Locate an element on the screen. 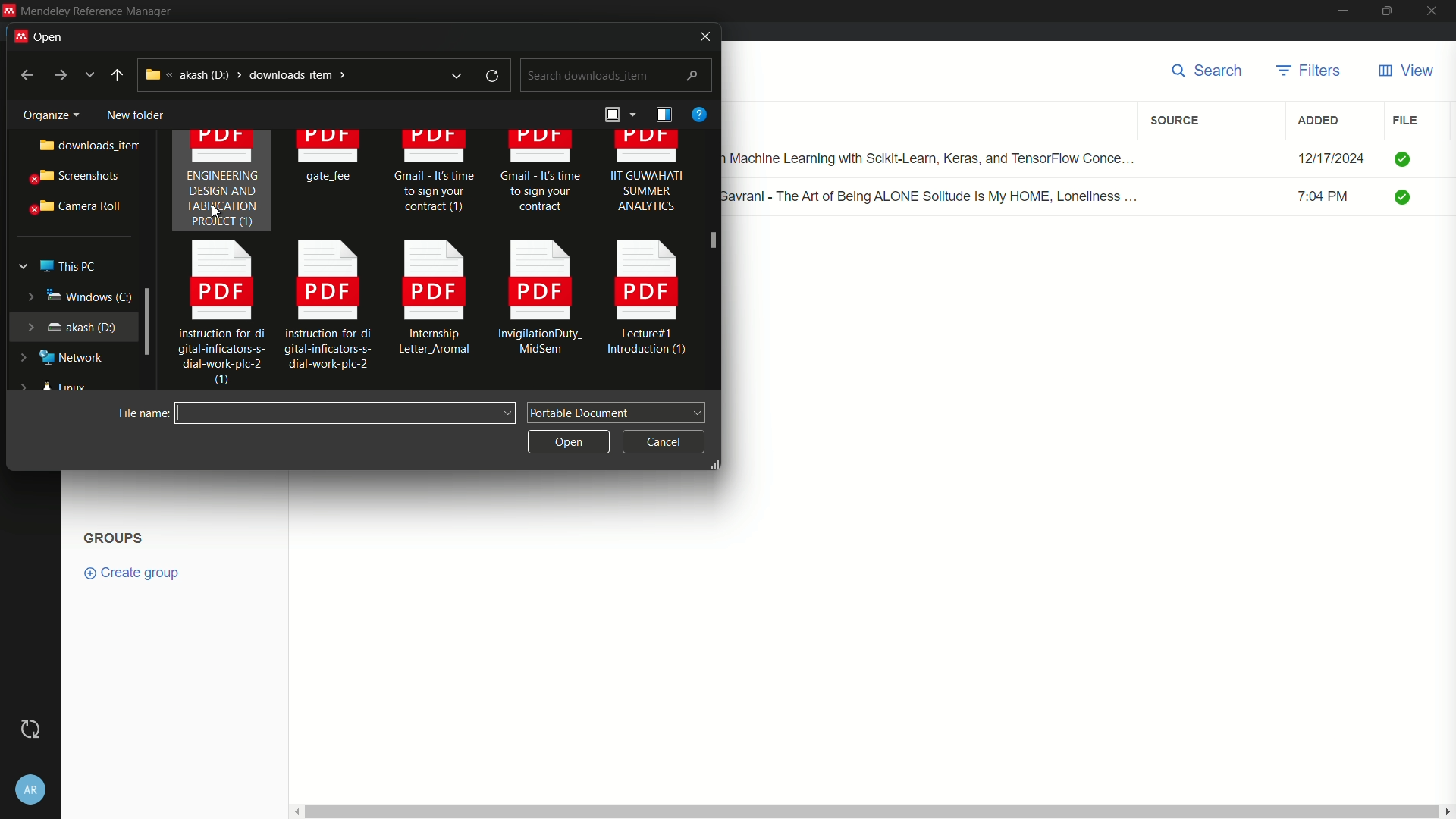 Image resolution: width=1456 pixels, height=819 pixels. up to is located at coordinates (118, 75).